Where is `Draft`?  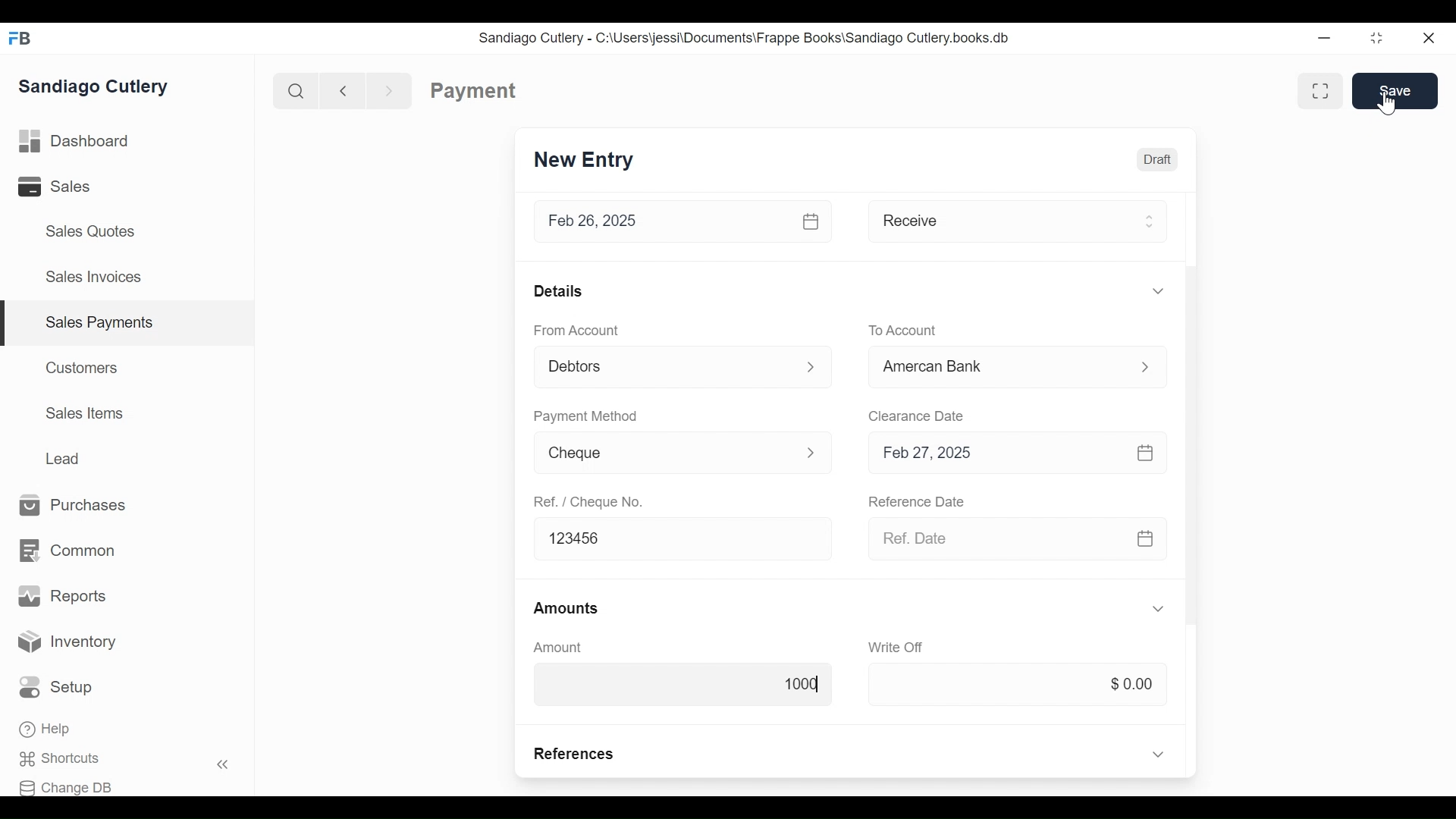
Draft is located at coordinates (1156, 158).